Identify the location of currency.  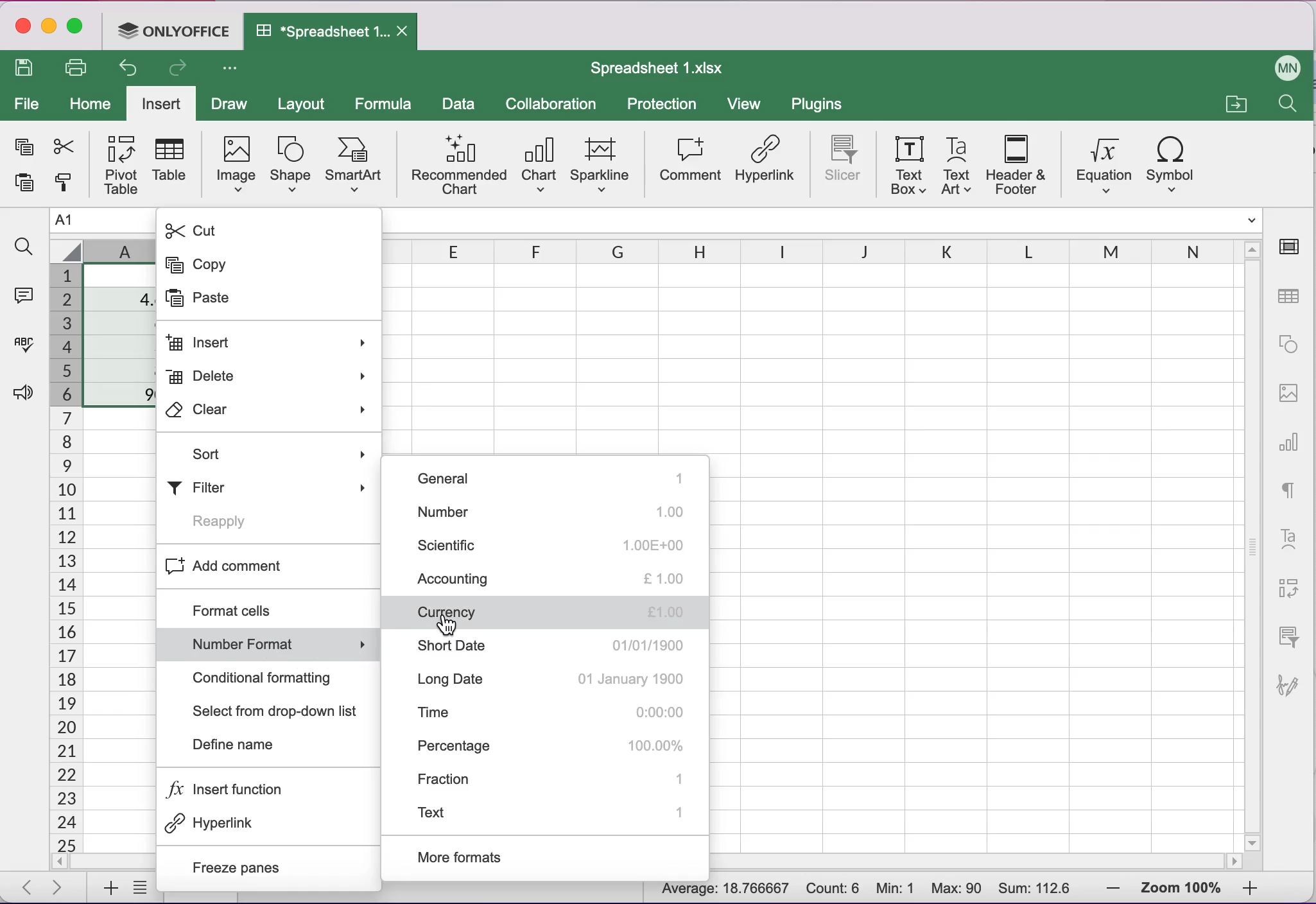
(547, 612).